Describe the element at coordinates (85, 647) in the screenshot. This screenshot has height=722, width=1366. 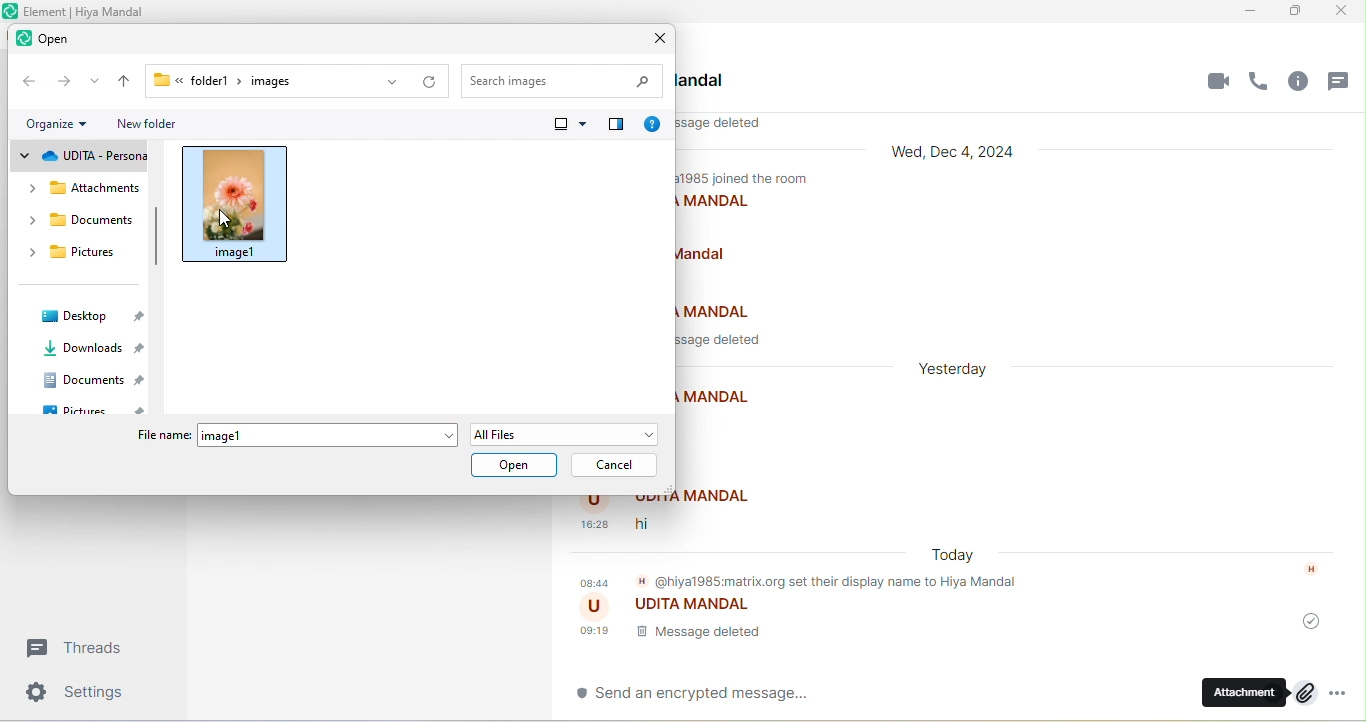
I see `threads` at that location.